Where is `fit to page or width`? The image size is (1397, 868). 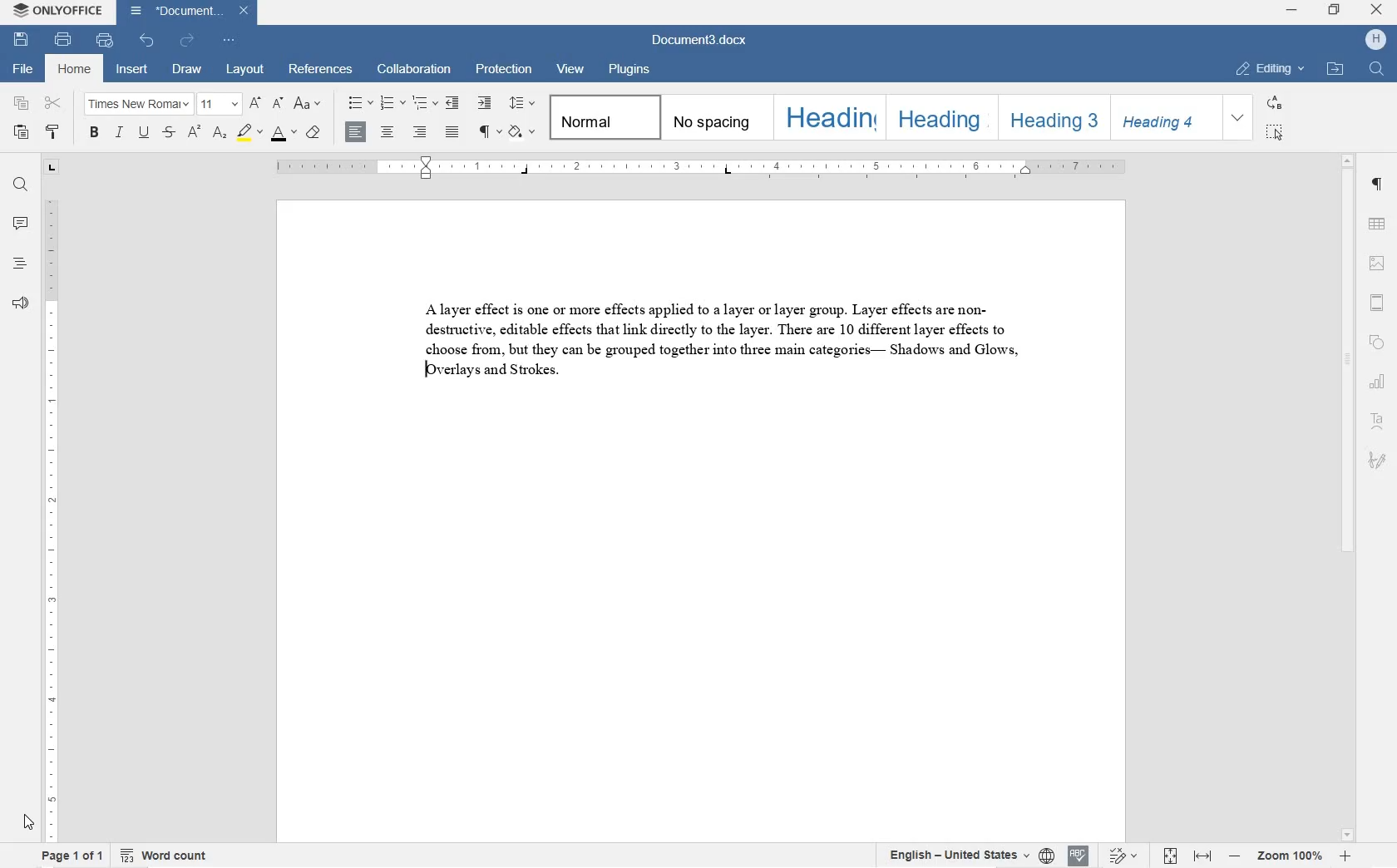 fit to page or width is located at coordinates (1187, 856).